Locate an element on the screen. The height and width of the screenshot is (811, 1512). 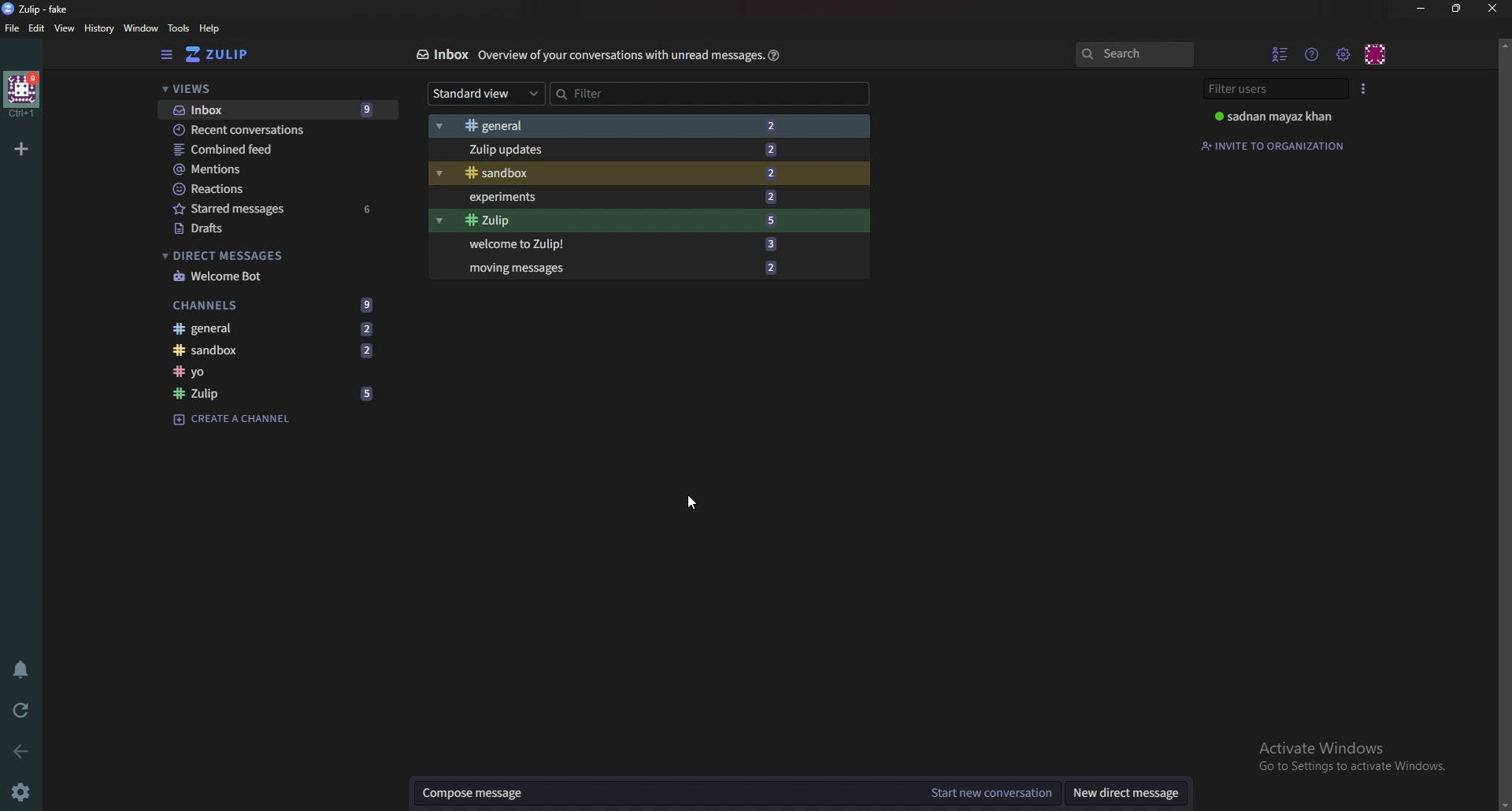
personal menu is located at coordinates (1375, 53).